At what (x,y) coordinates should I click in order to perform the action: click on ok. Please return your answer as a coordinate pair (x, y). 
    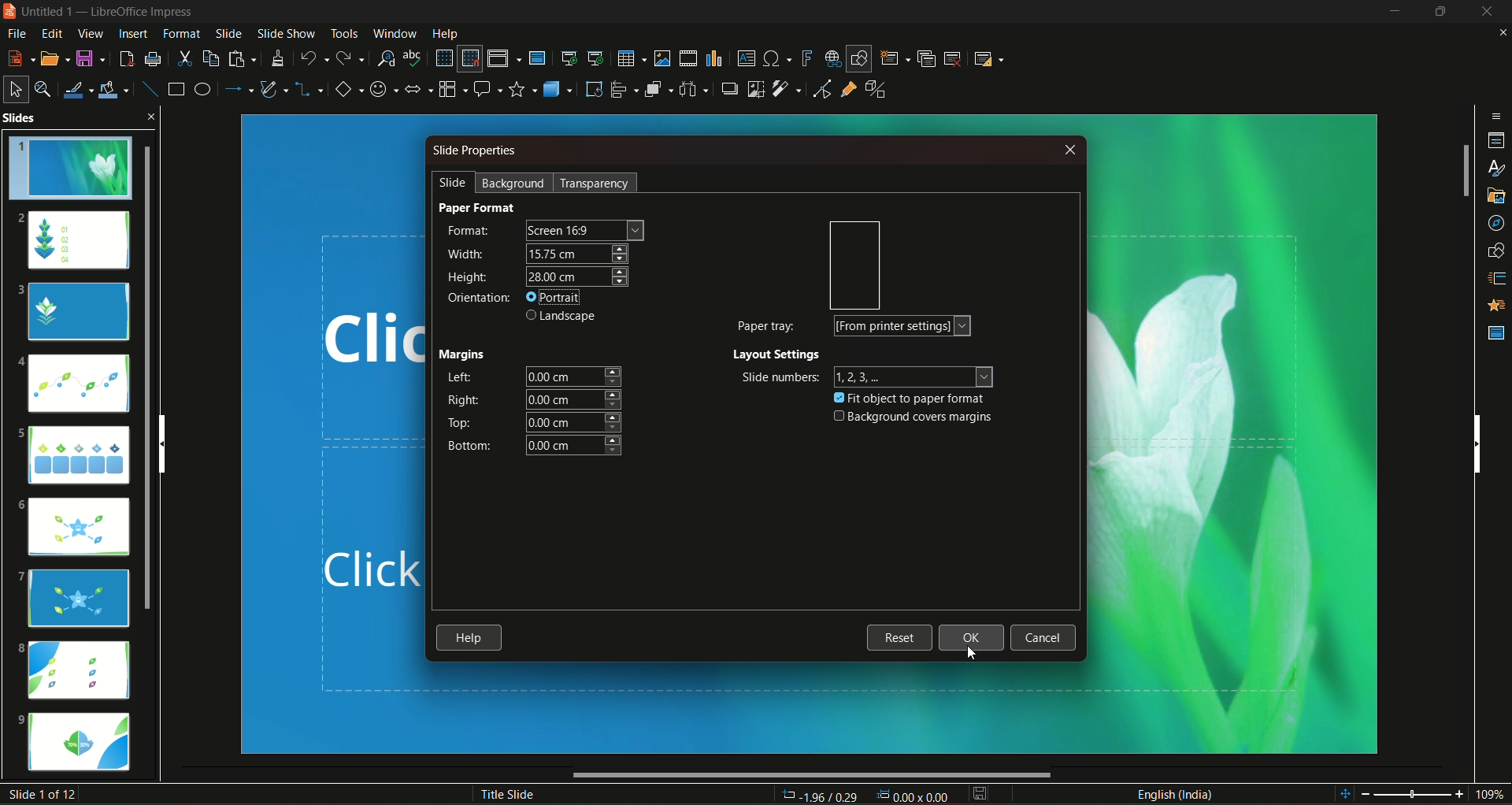
    Looking at the image, I should click on (972, 637).